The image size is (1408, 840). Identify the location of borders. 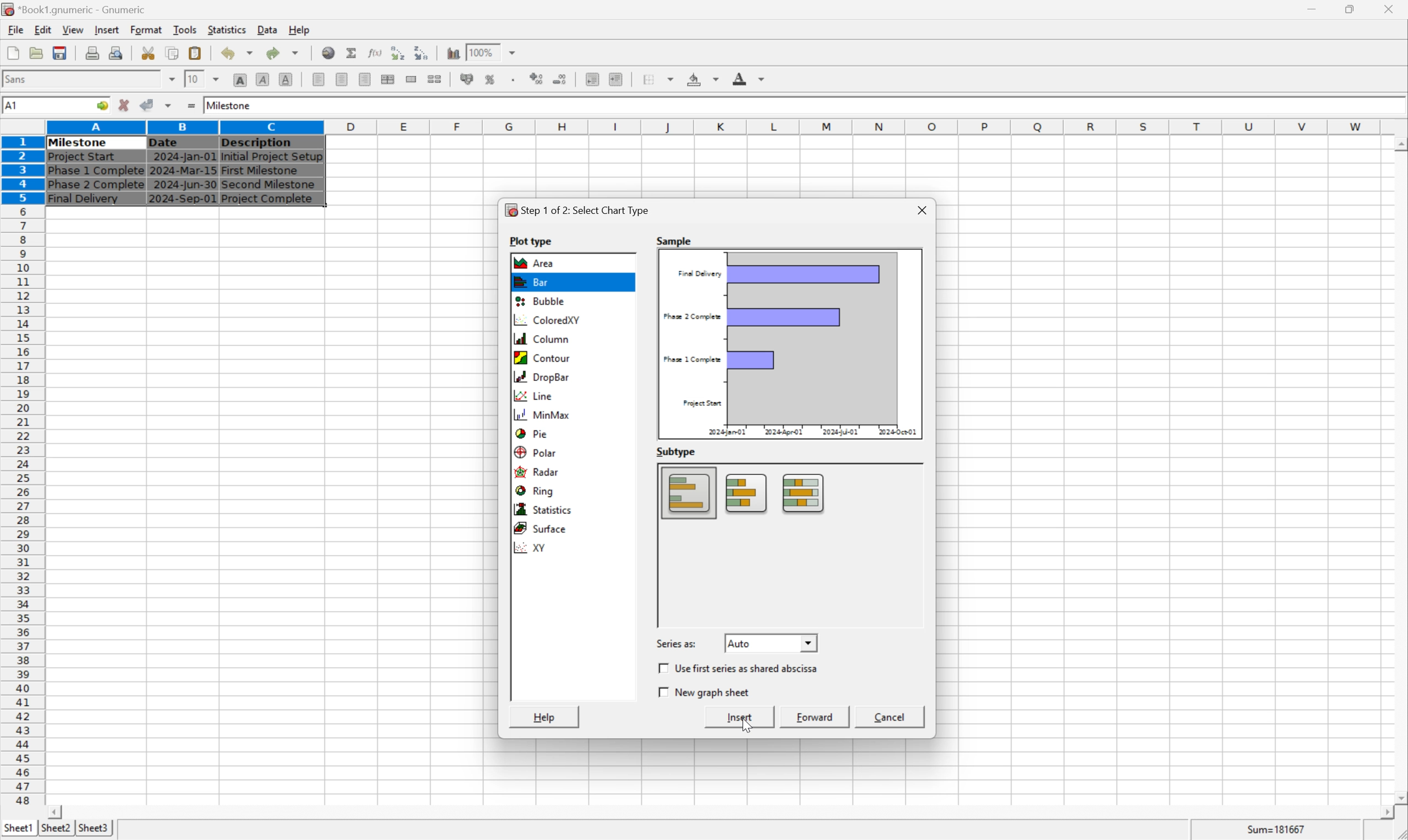
(663, 79).